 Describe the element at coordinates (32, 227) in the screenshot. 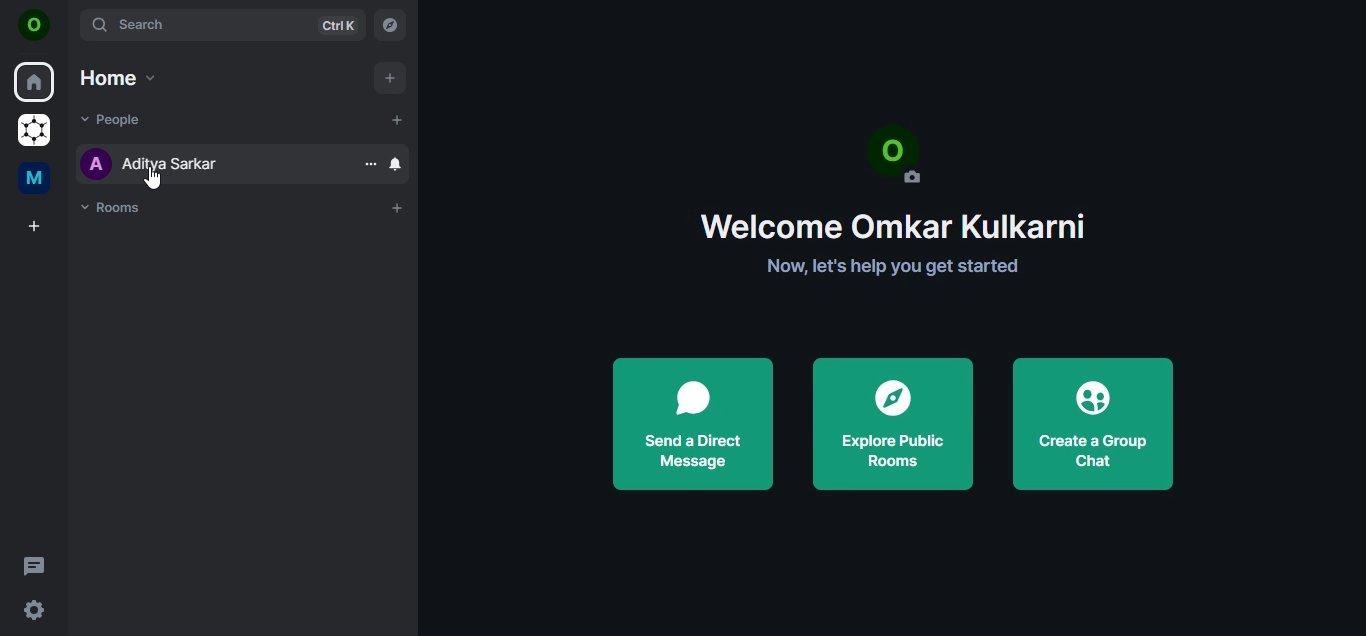

I see `create a  space` at that location.